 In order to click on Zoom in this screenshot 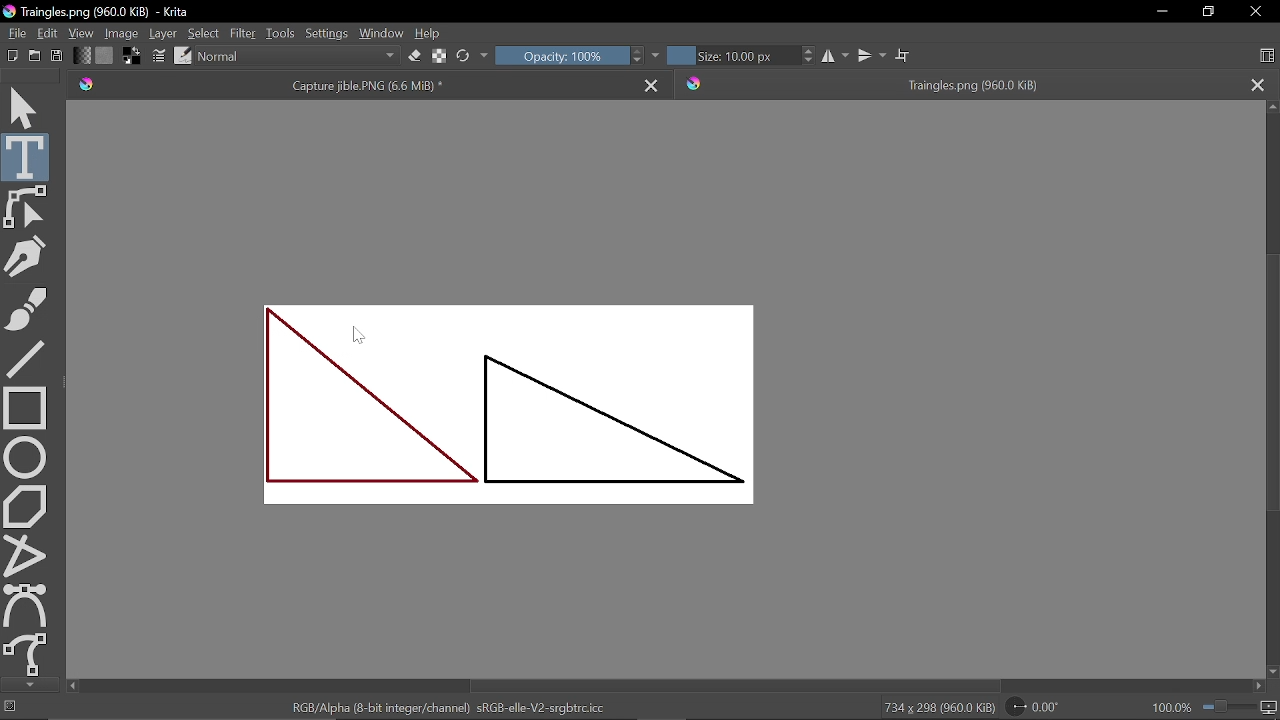, I will do `click(1240, 709)`.